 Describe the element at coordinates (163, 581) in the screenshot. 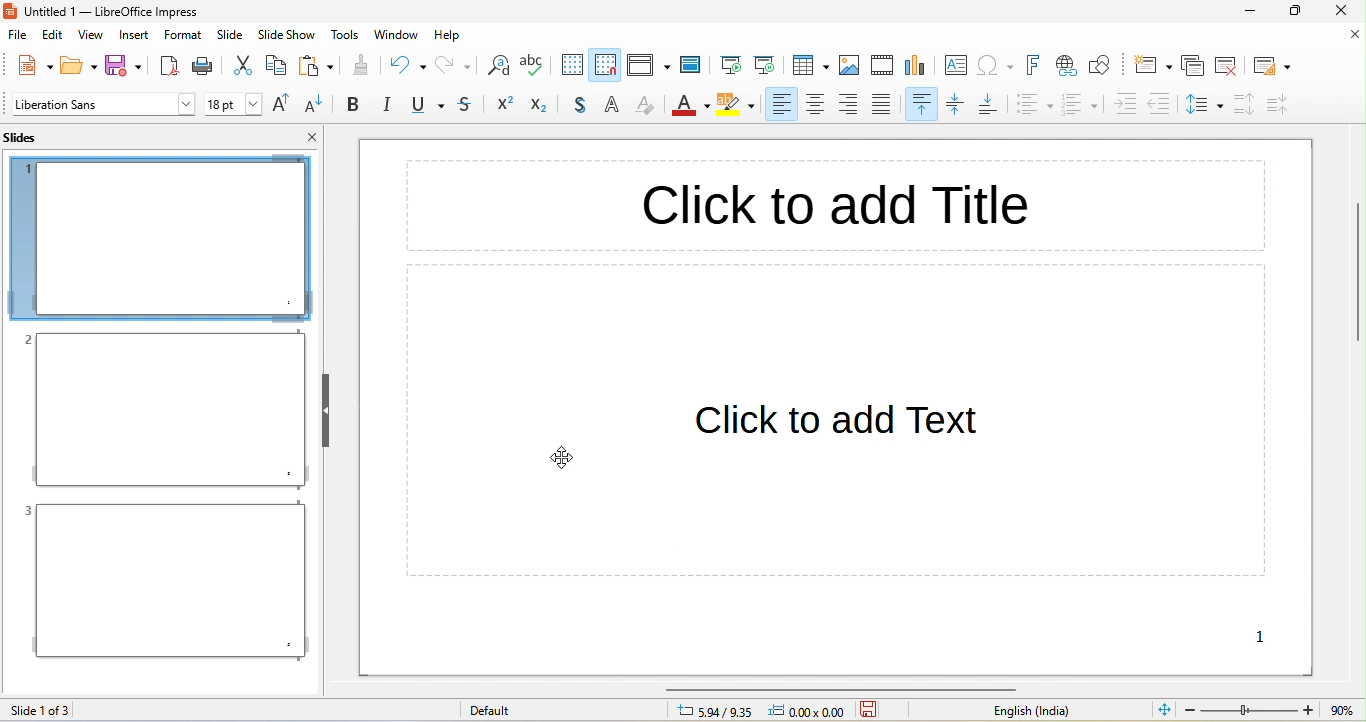

I see `slide 3` at that location.